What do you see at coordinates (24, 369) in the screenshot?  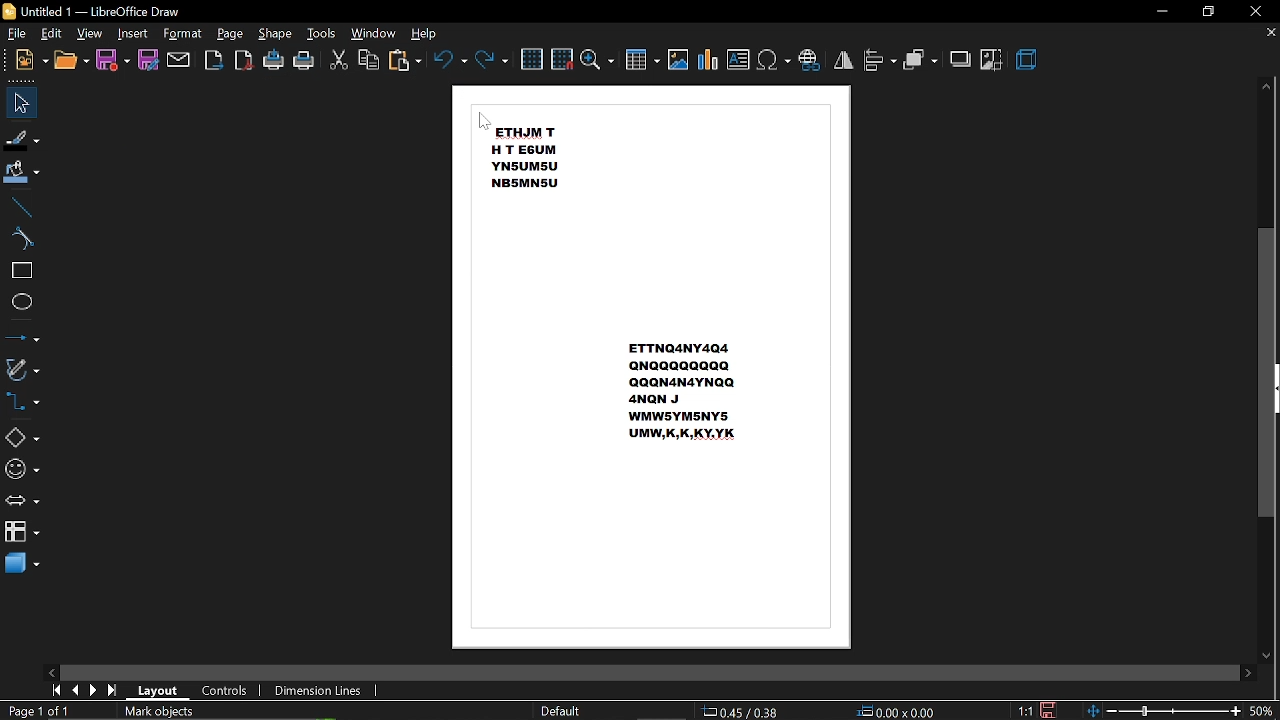 I see `curves and polygons` at bounding box center [24, 369].